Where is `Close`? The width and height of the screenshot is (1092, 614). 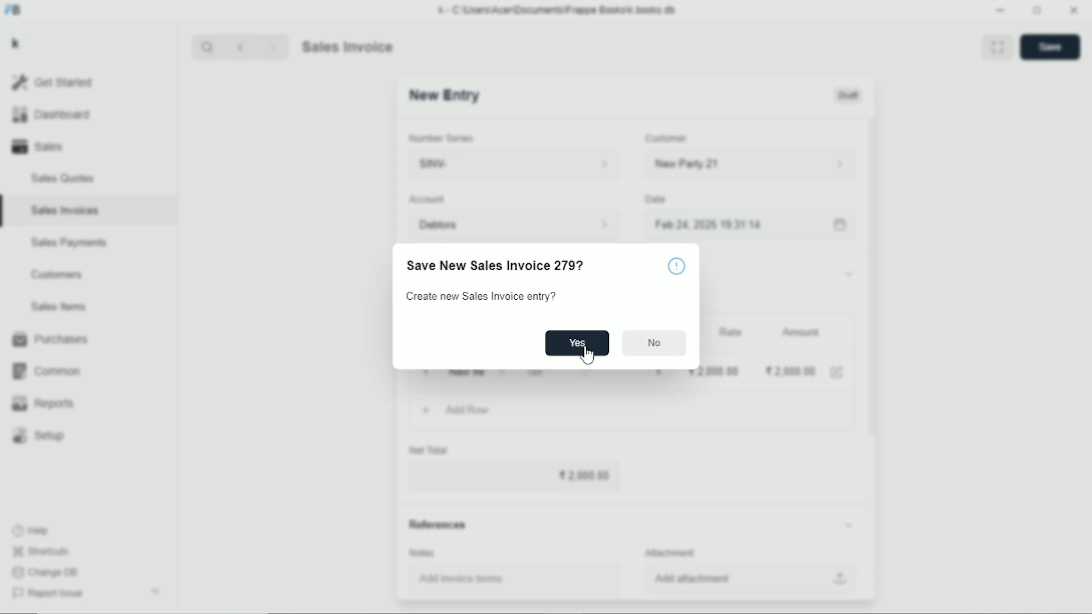 Close is located at coordinates (1074, 11).